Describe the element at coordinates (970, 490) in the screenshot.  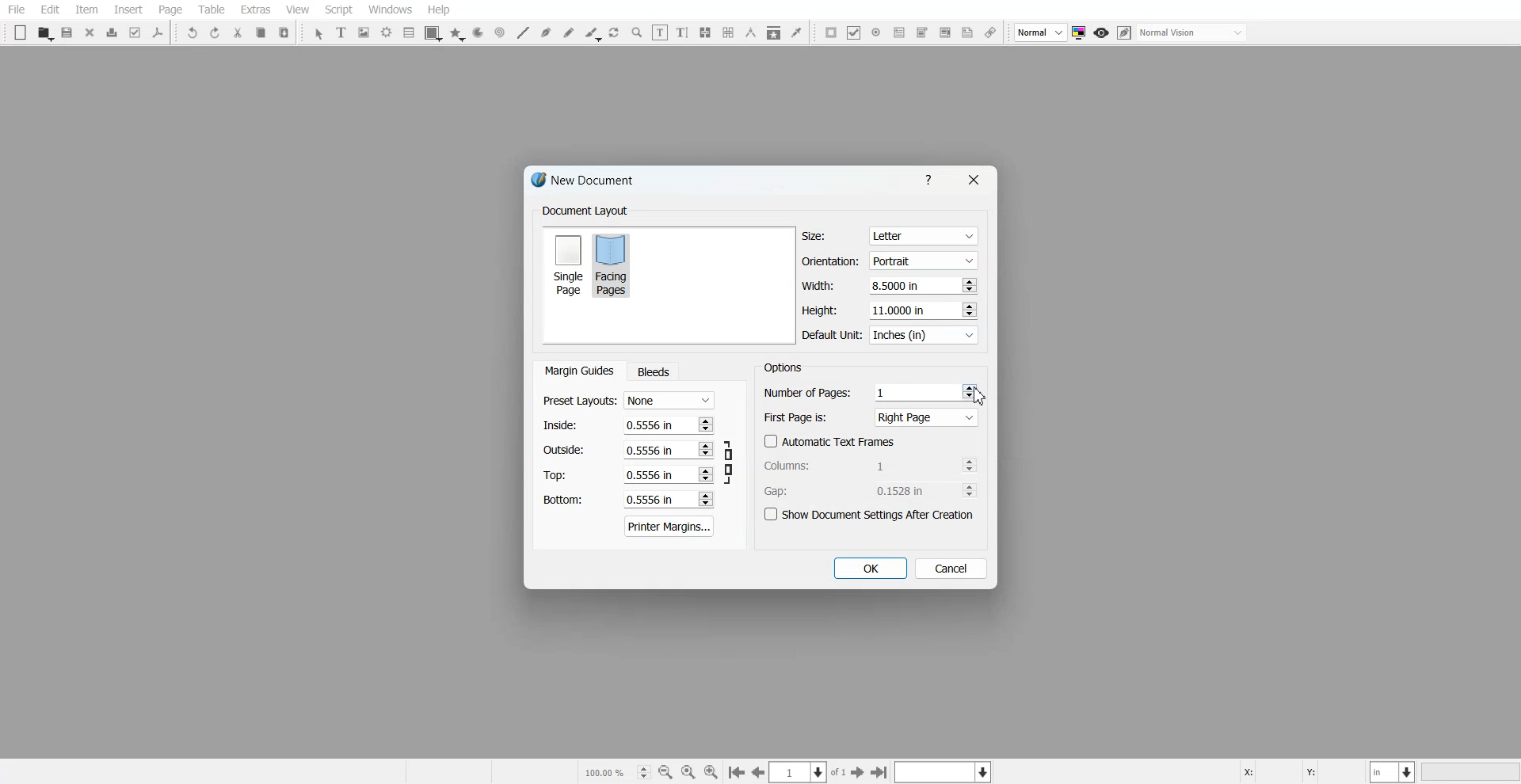
I see `Increase and decrease No. ` at that location.